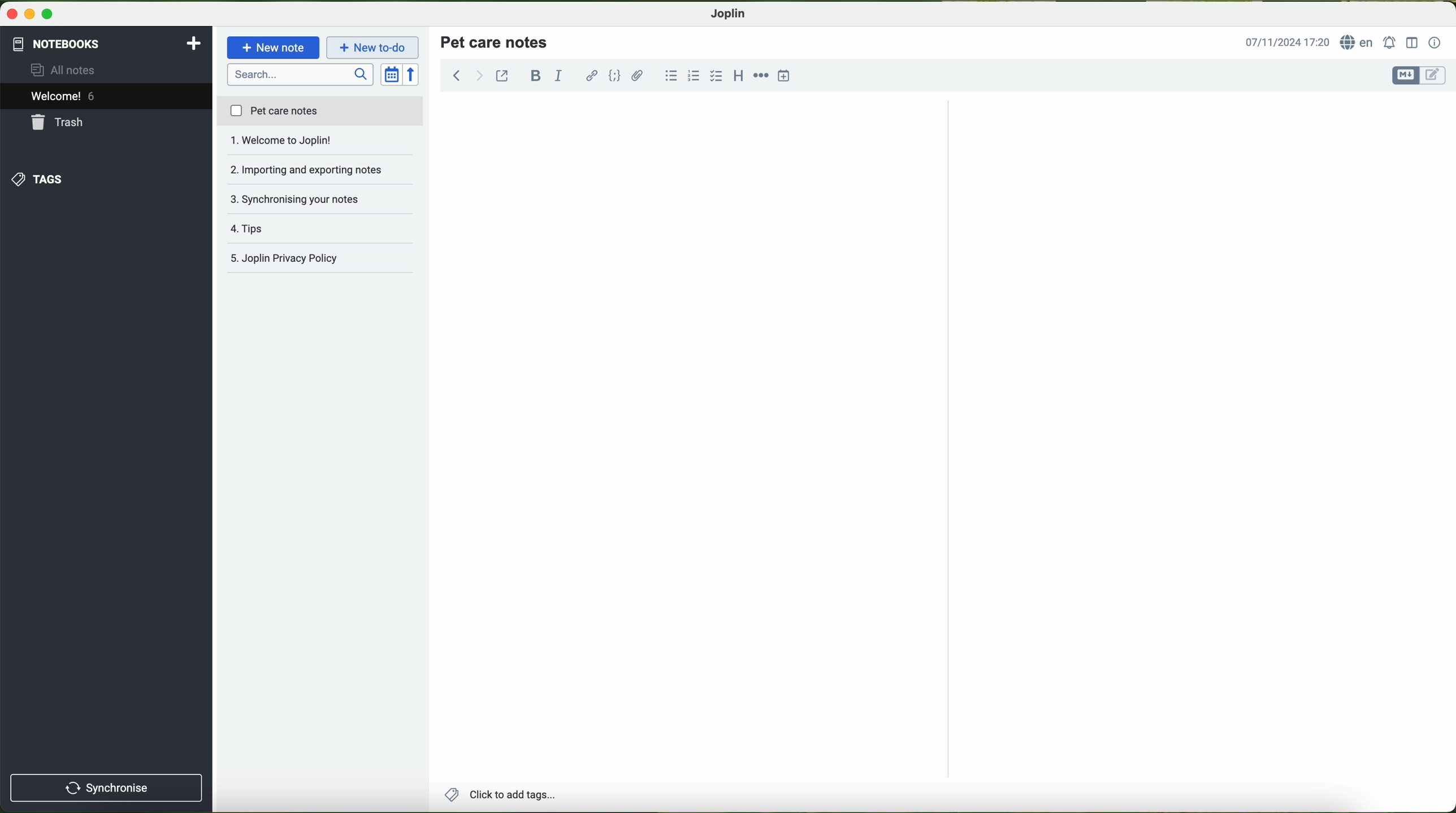 This screenshot has height=813, width=1456. I want to click on horizontal rule, so click(761, 74).